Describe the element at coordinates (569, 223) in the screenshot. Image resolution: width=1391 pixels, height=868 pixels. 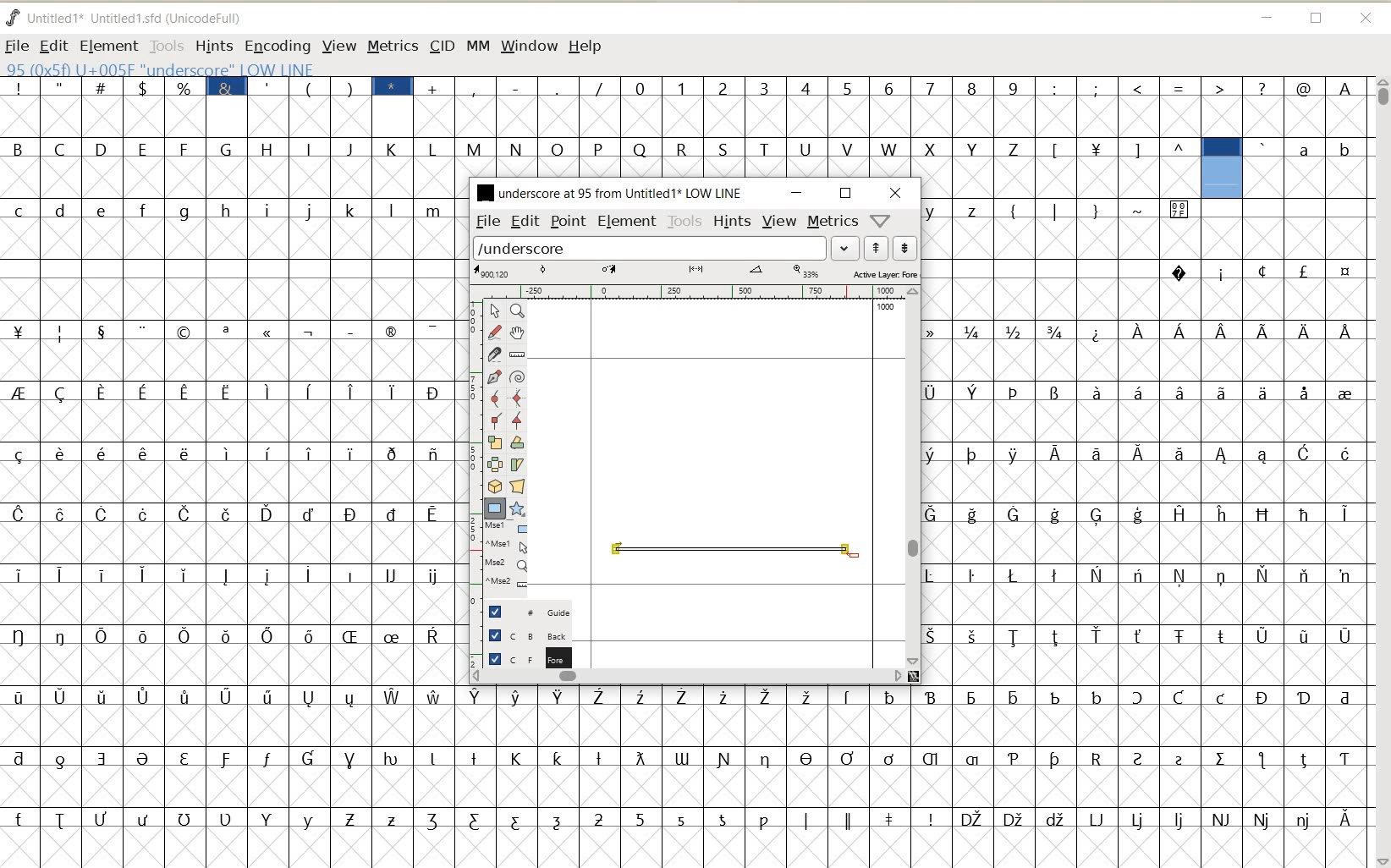
I see `POINT` at that location.